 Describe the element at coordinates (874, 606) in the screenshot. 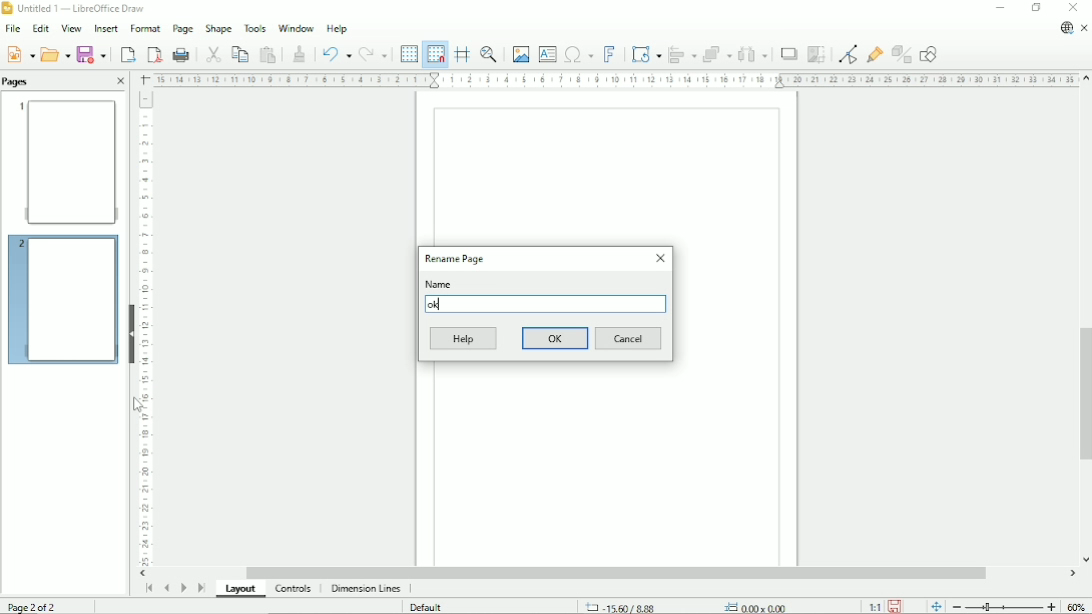

I see `Scaling factor` at that location.